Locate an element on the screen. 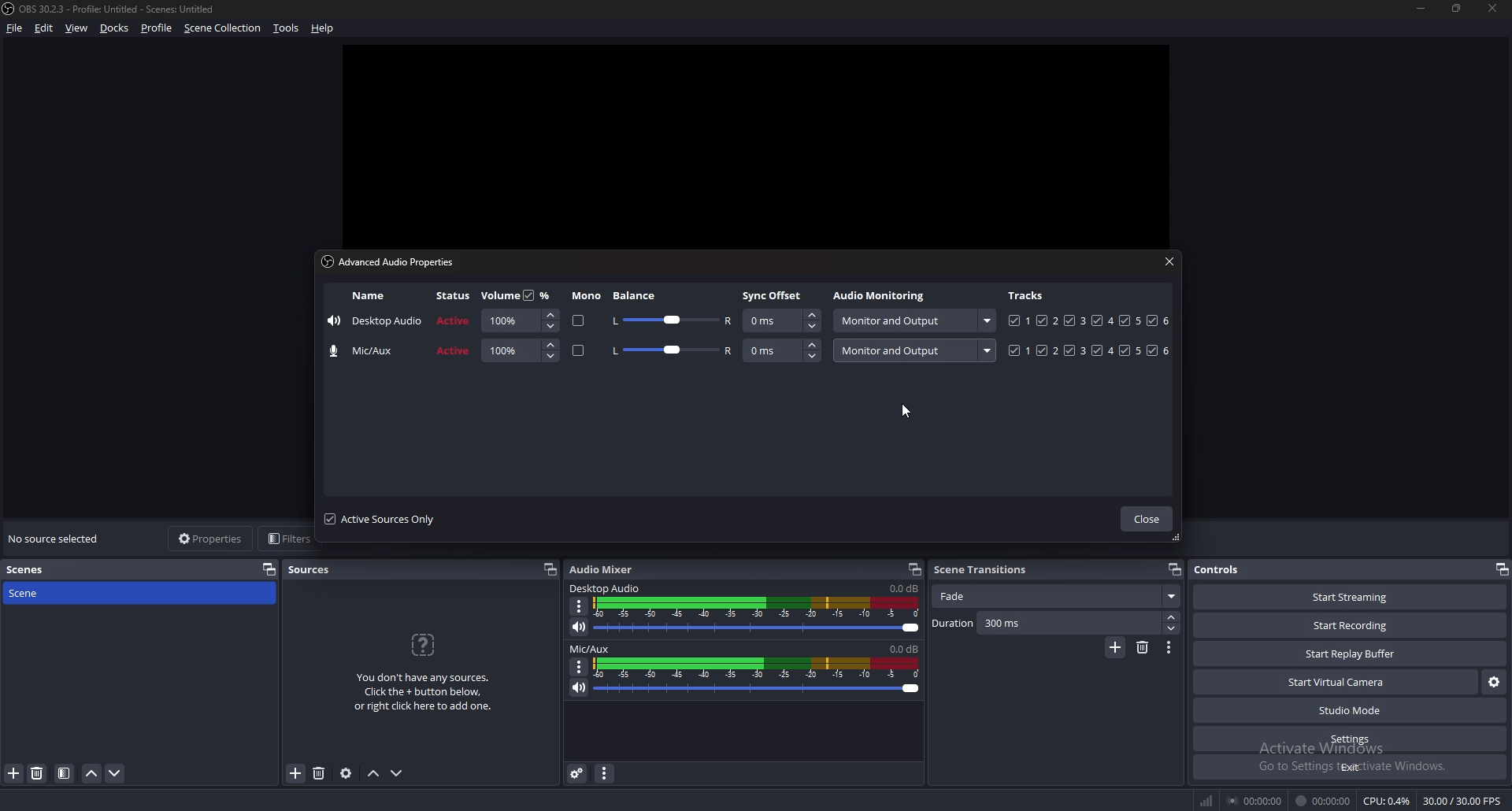 The height and width of the screenshot is (811, 1512). status is located at coordinates (454, 351).